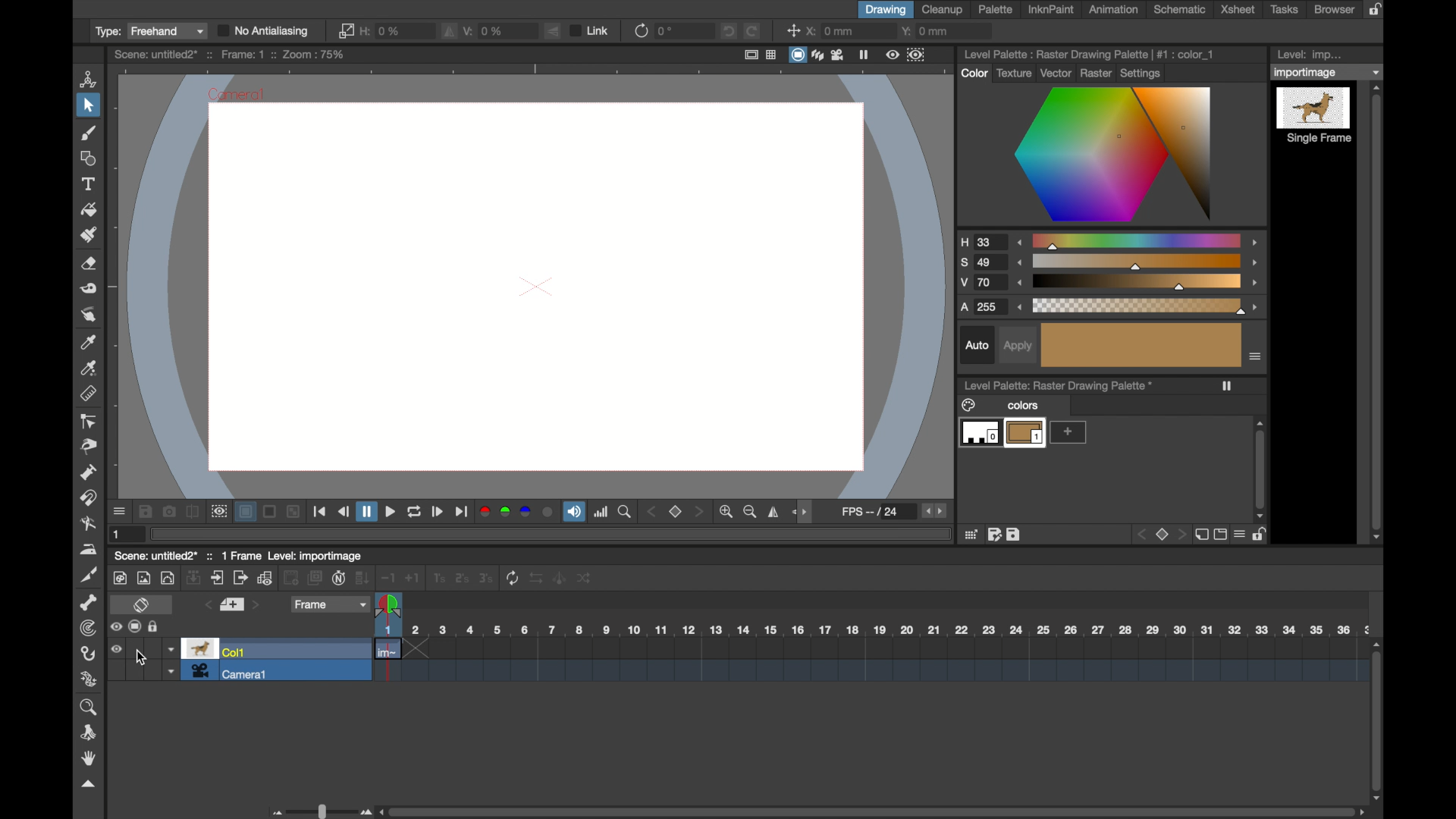 This screenshot has width=1456, height=819. Describe the element at coordinates (837, 54) in the screenshot. I see `film` at that location.